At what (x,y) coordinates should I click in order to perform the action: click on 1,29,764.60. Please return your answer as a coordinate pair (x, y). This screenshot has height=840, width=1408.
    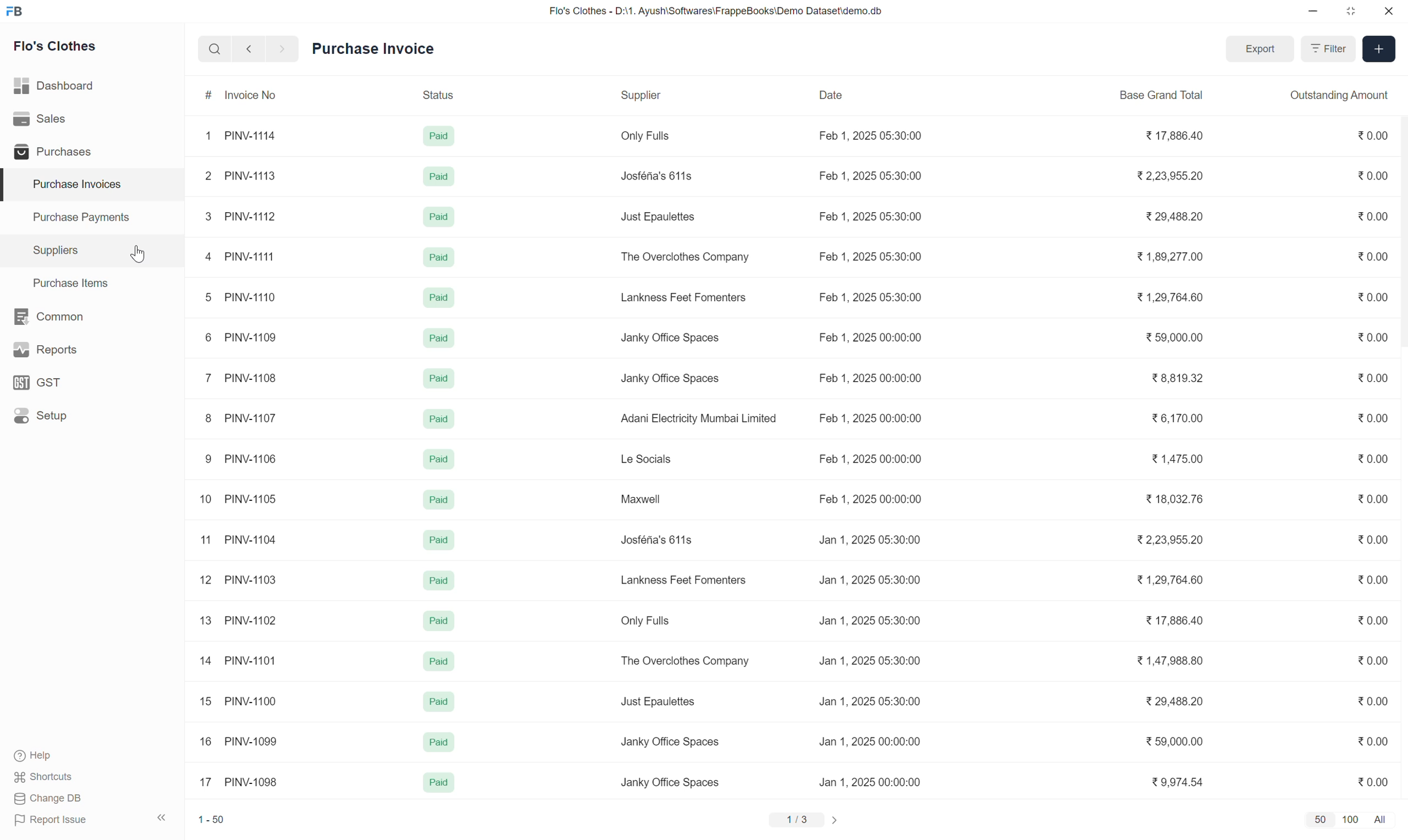
    Looking at the image, I should click on (1172, 298).